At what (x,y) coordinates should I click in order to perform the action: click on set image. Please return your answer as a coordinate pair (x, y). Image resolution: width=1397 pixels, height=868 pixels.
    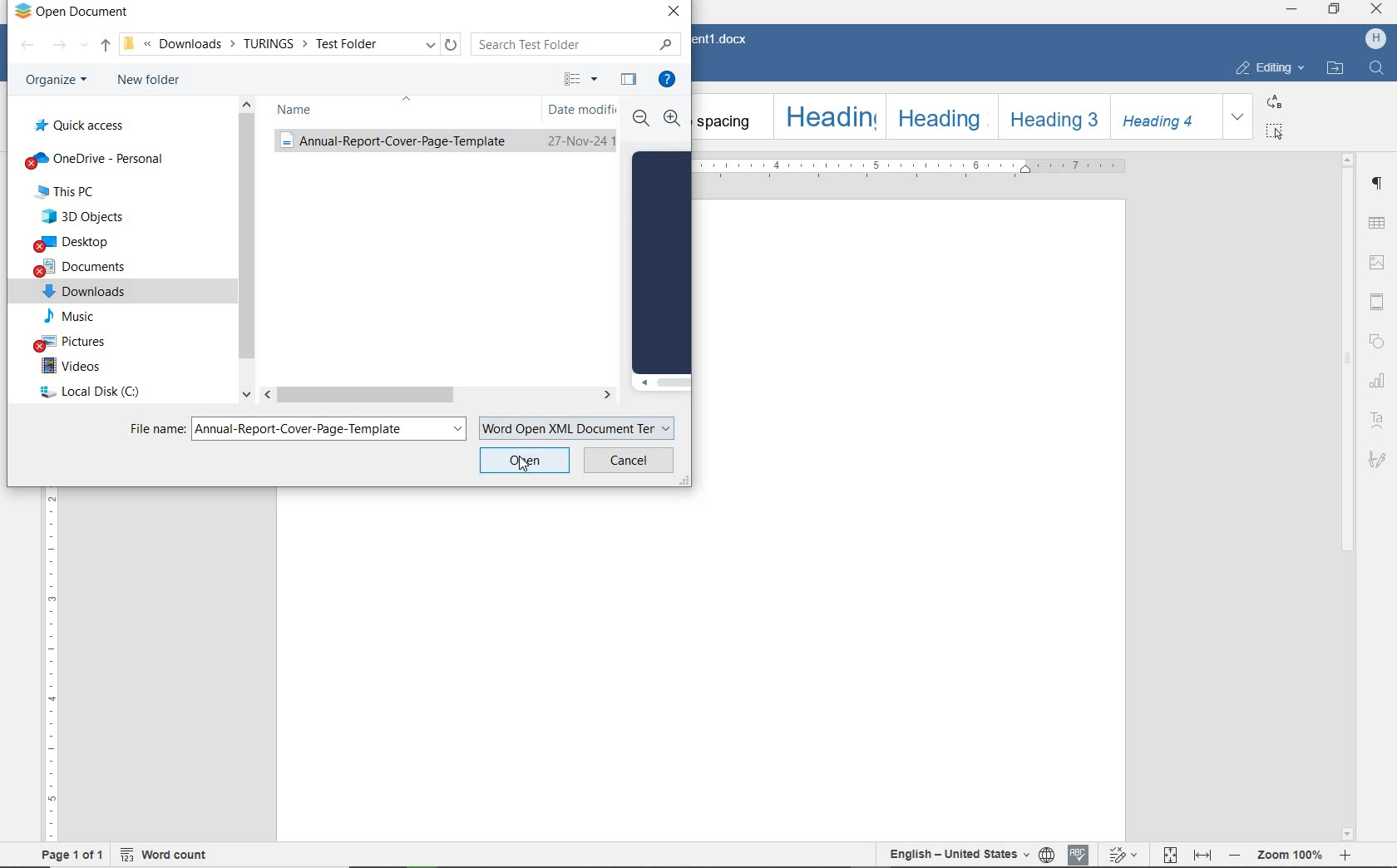
    Looking at the image, I should click on (1378, 262).